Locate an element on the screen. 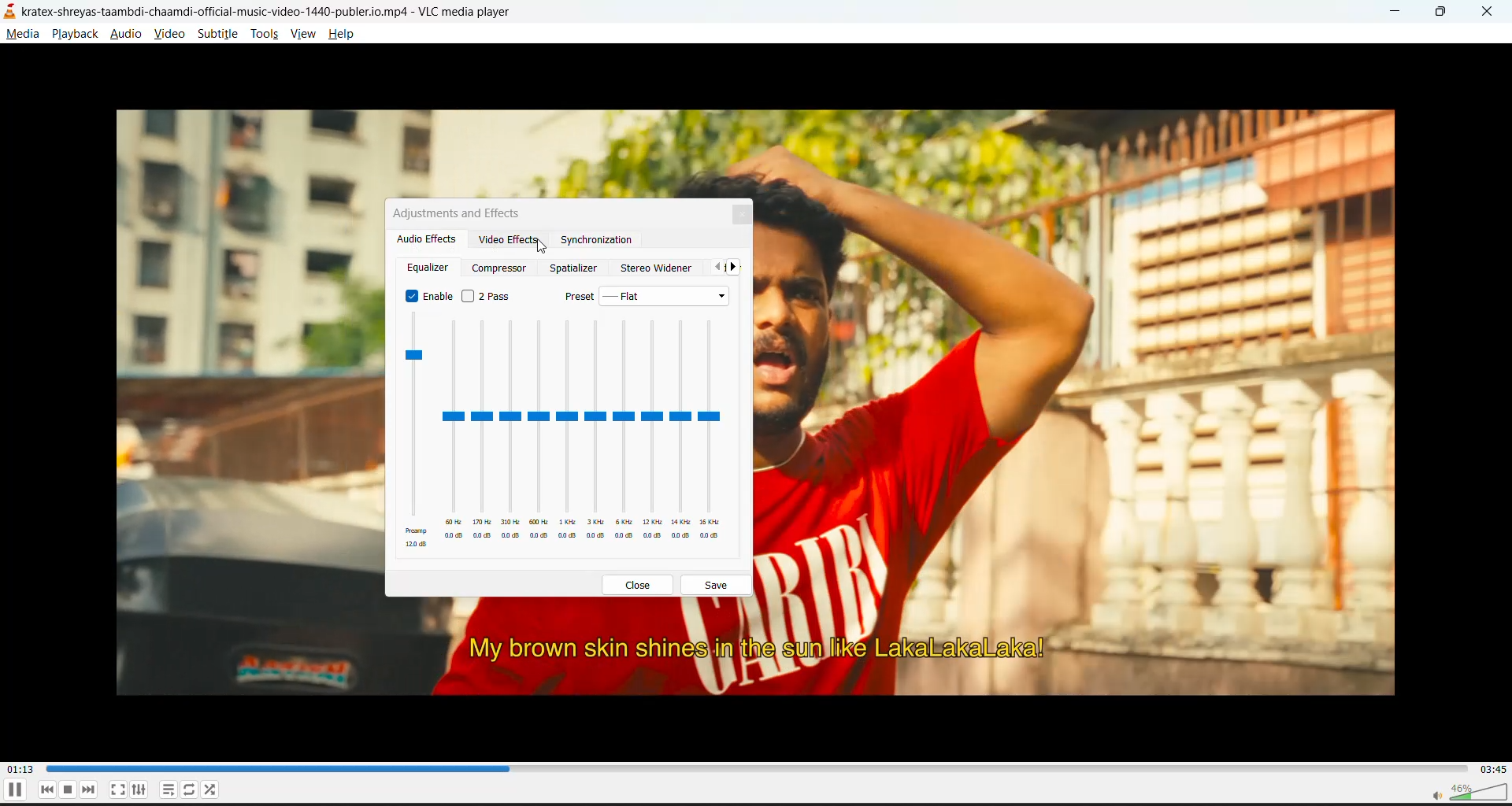  track slider is located at coordinates (752, 769).